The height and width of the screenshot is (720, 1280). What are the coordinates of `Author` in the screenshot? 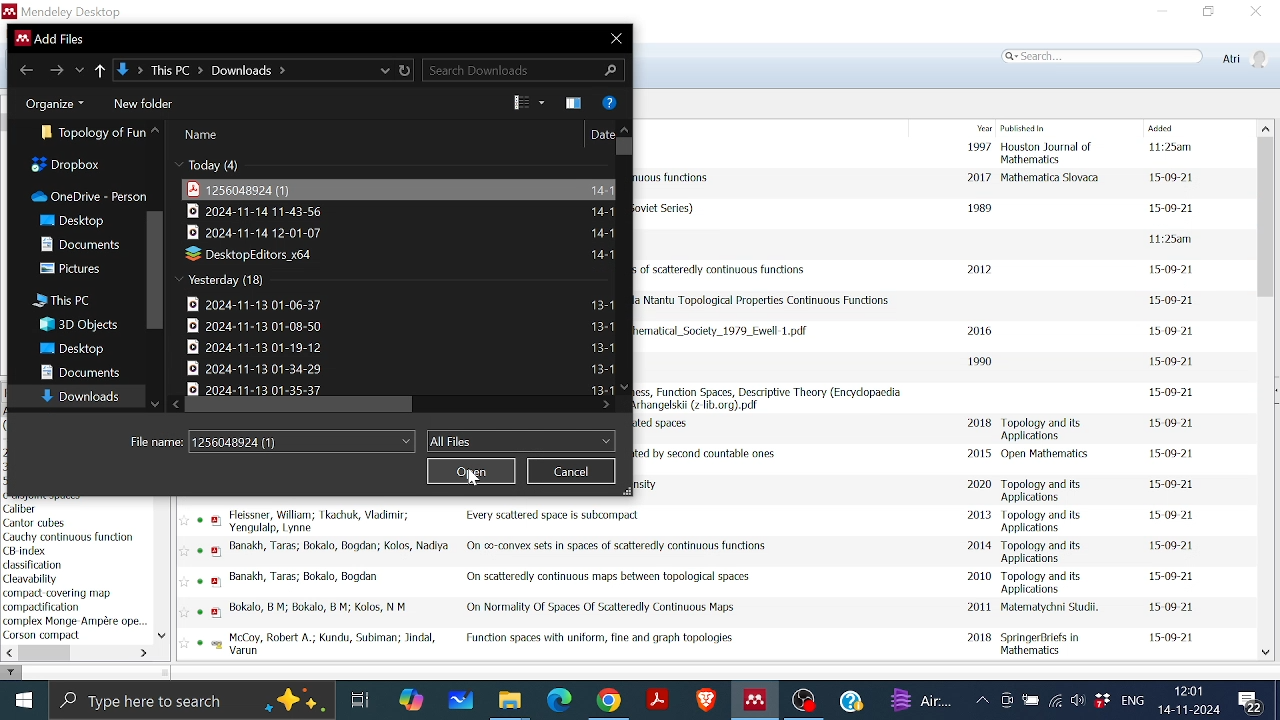 It's located at (319, 606).